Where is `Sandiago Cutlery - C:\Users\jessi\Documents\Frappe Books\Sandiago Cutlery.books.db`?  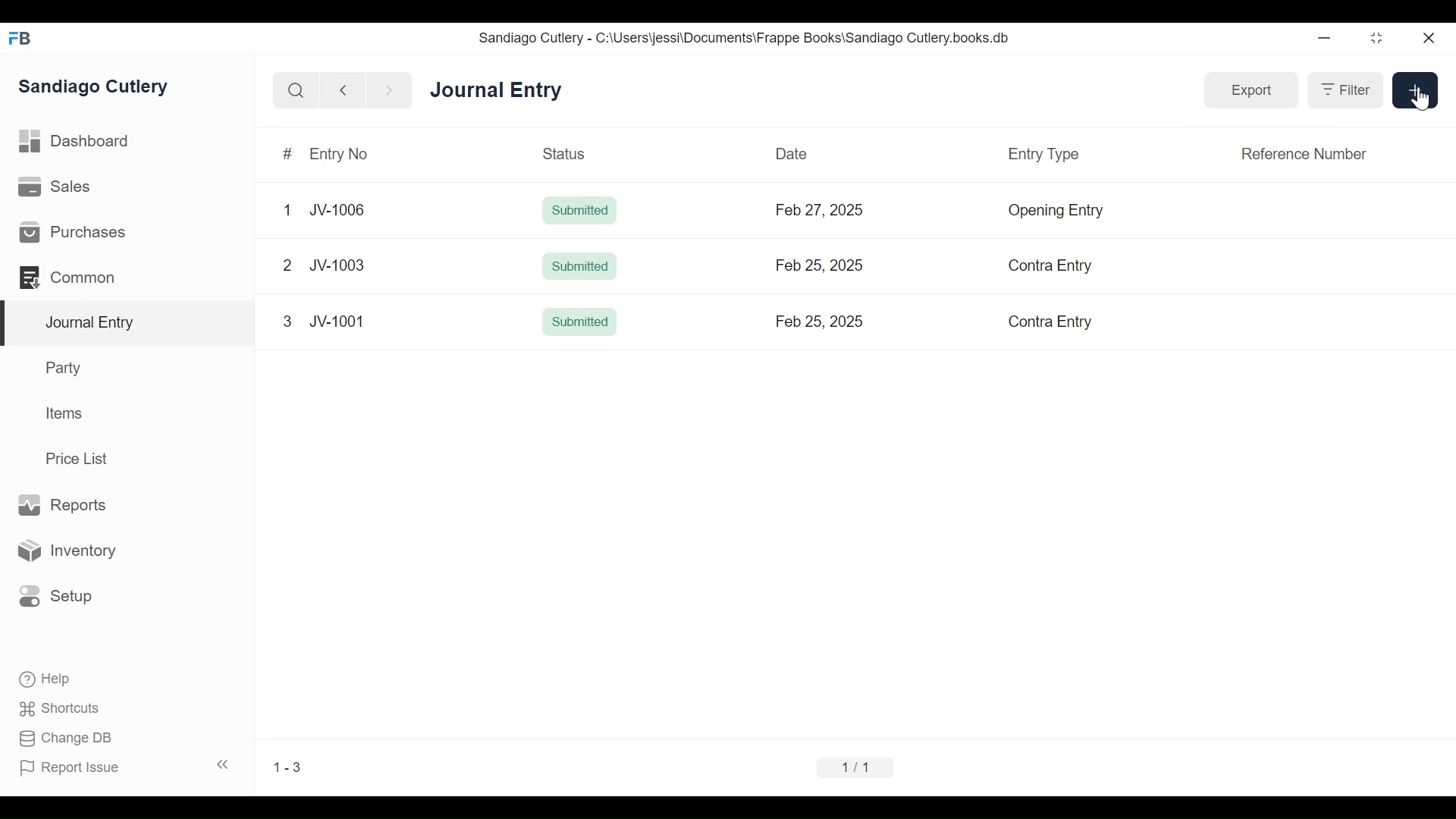 Sandiago Cutlery - C:\Users\jessi\Documents\Frappe Books\Sandiago Cutlery.books.db is located at coordinates (748, 37).